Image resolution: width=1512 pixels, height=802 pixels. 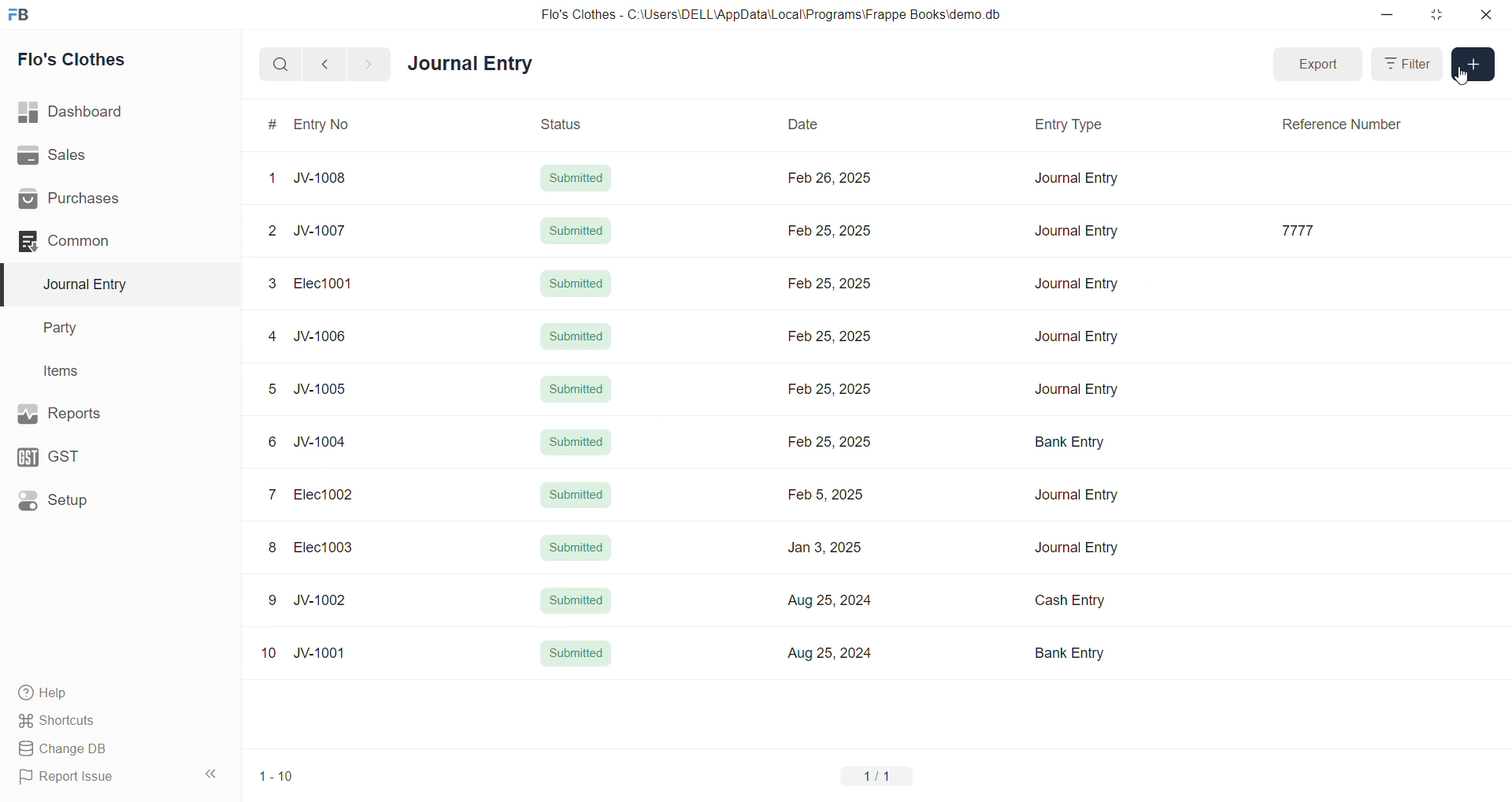 I want to click on Feb 26, 2025, so click(x=831, y=180).